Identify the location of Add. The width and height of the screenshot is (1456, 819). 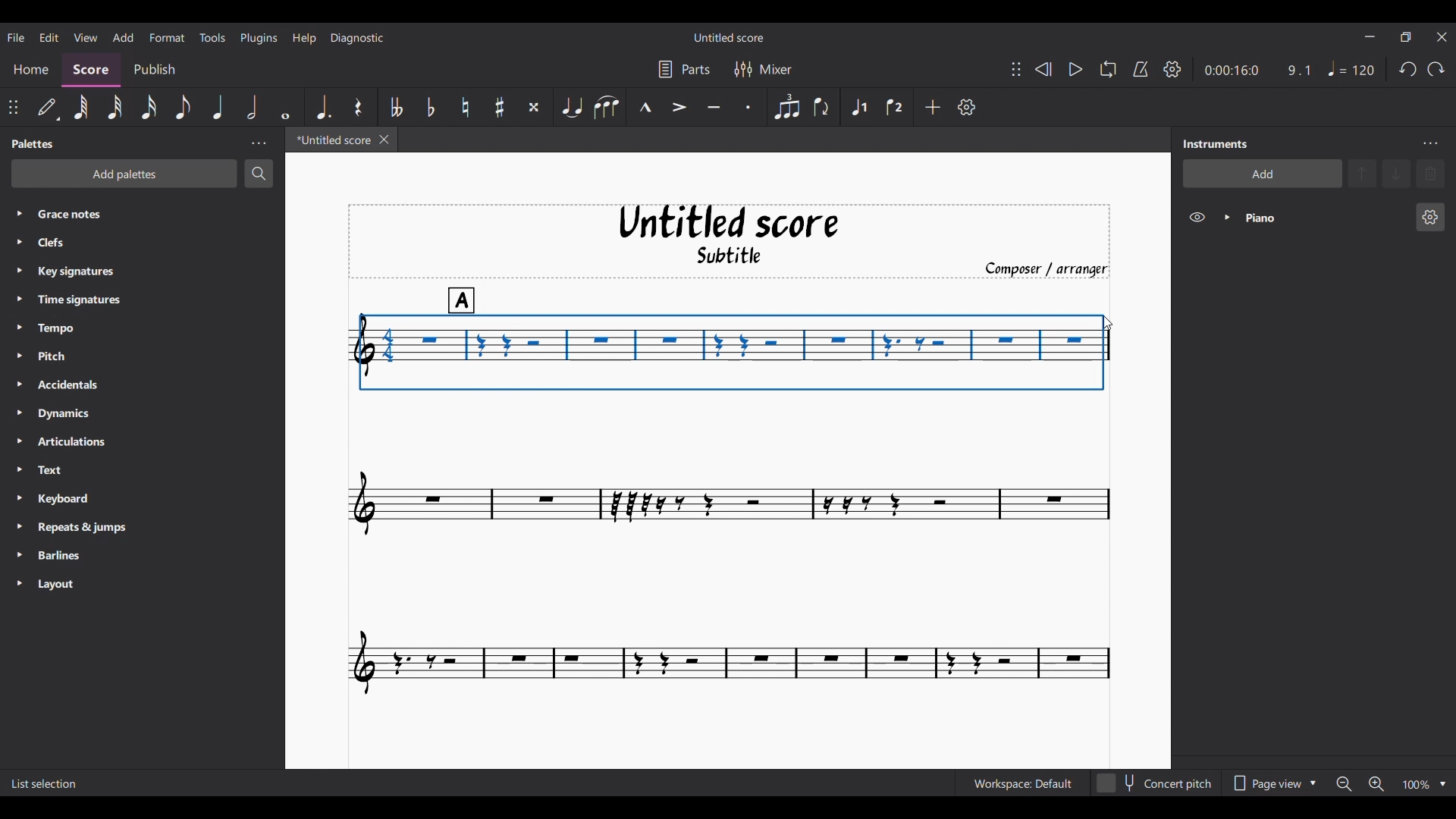
(933, 107).